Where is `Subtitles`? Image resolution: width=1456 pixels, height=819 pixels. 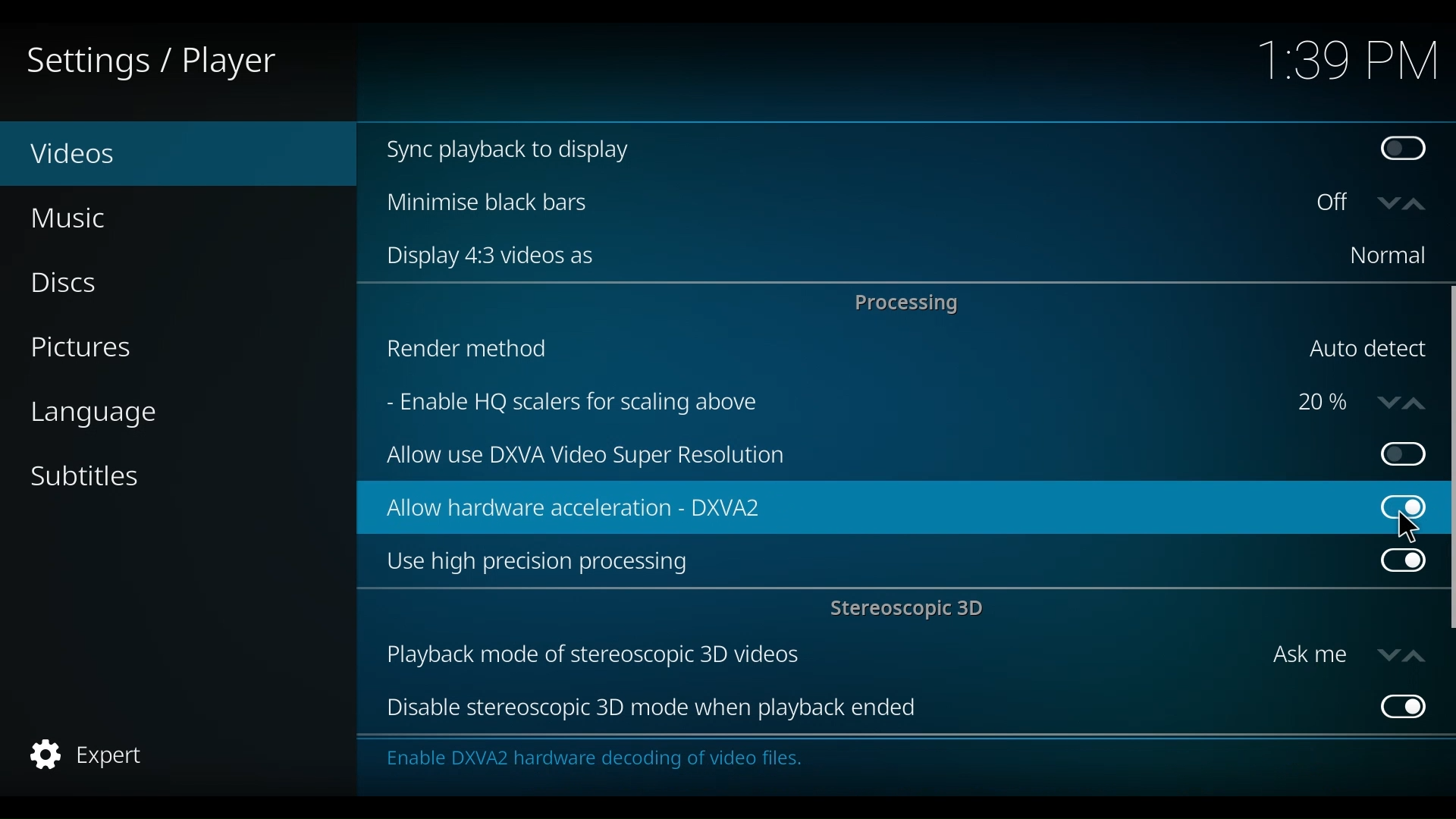
Subtitles is located at coordinates (86, 475).